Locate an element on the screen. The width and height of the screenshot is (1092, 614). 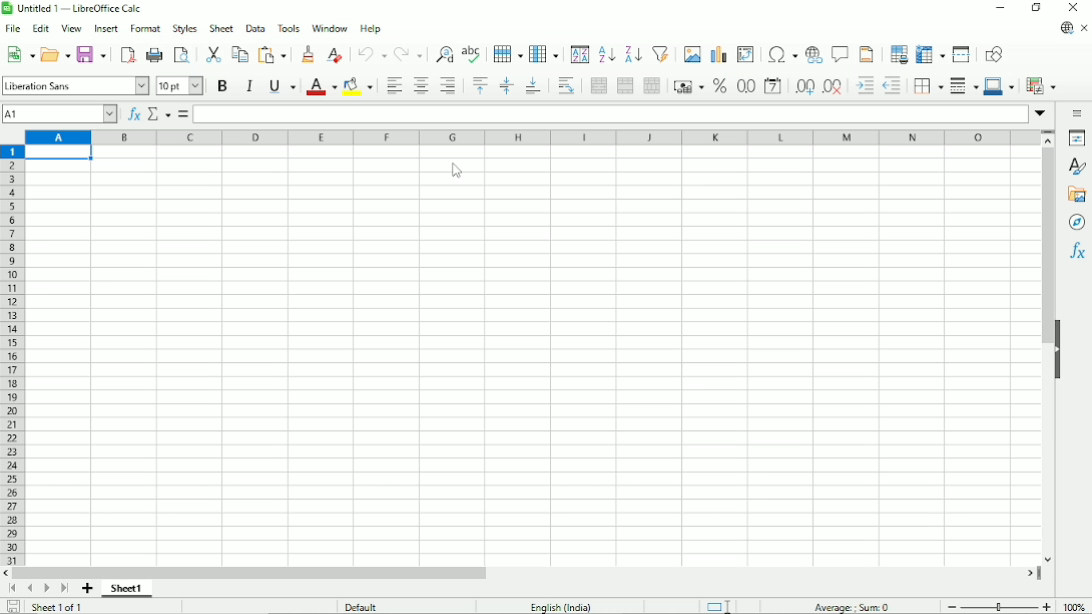
Minimize is located at coordinates (1001, 9).